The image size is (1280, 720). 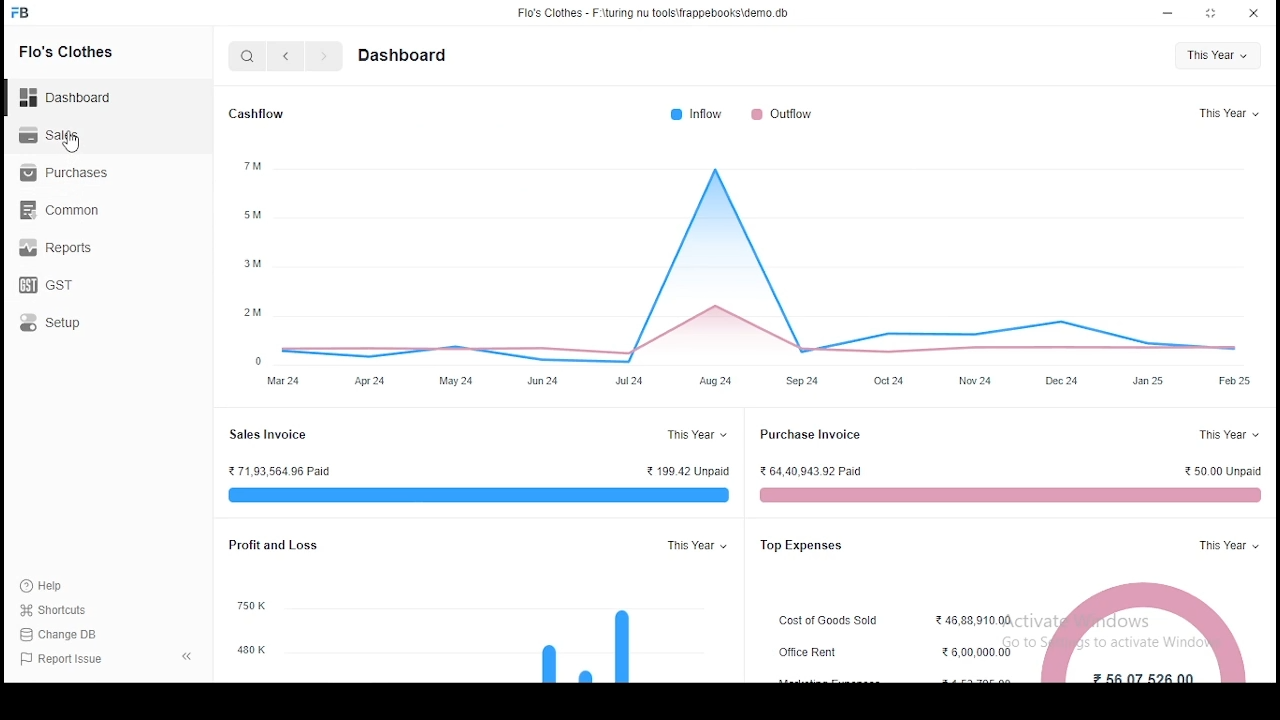 I want to click on Profit and Loss, so click(x=271, y=544).